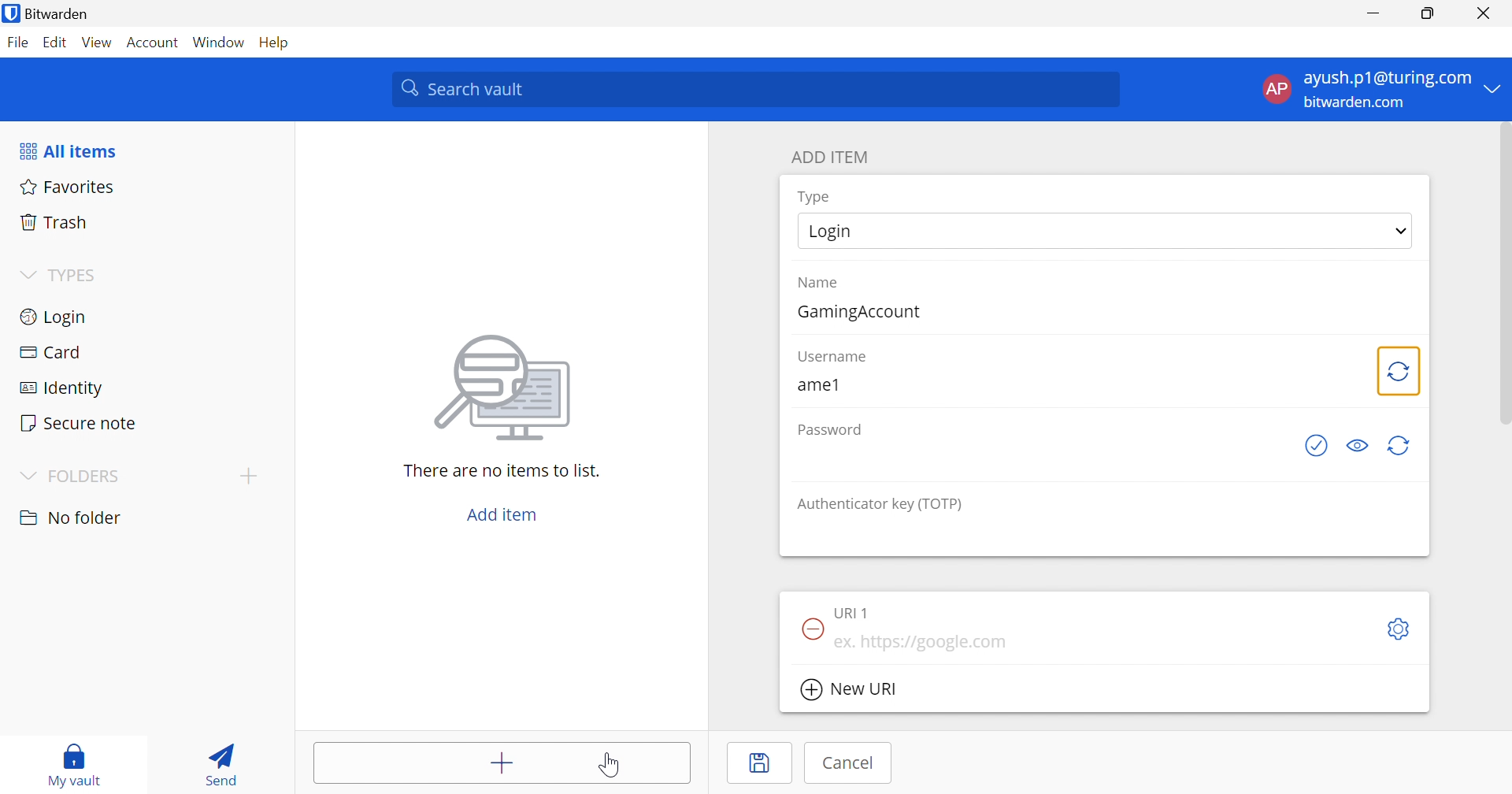 The image size is (1512, 794). What do you see at coordinates (87, 477) in the screenshot?
I see `FOLDERS` at bounding box center [87, 477].